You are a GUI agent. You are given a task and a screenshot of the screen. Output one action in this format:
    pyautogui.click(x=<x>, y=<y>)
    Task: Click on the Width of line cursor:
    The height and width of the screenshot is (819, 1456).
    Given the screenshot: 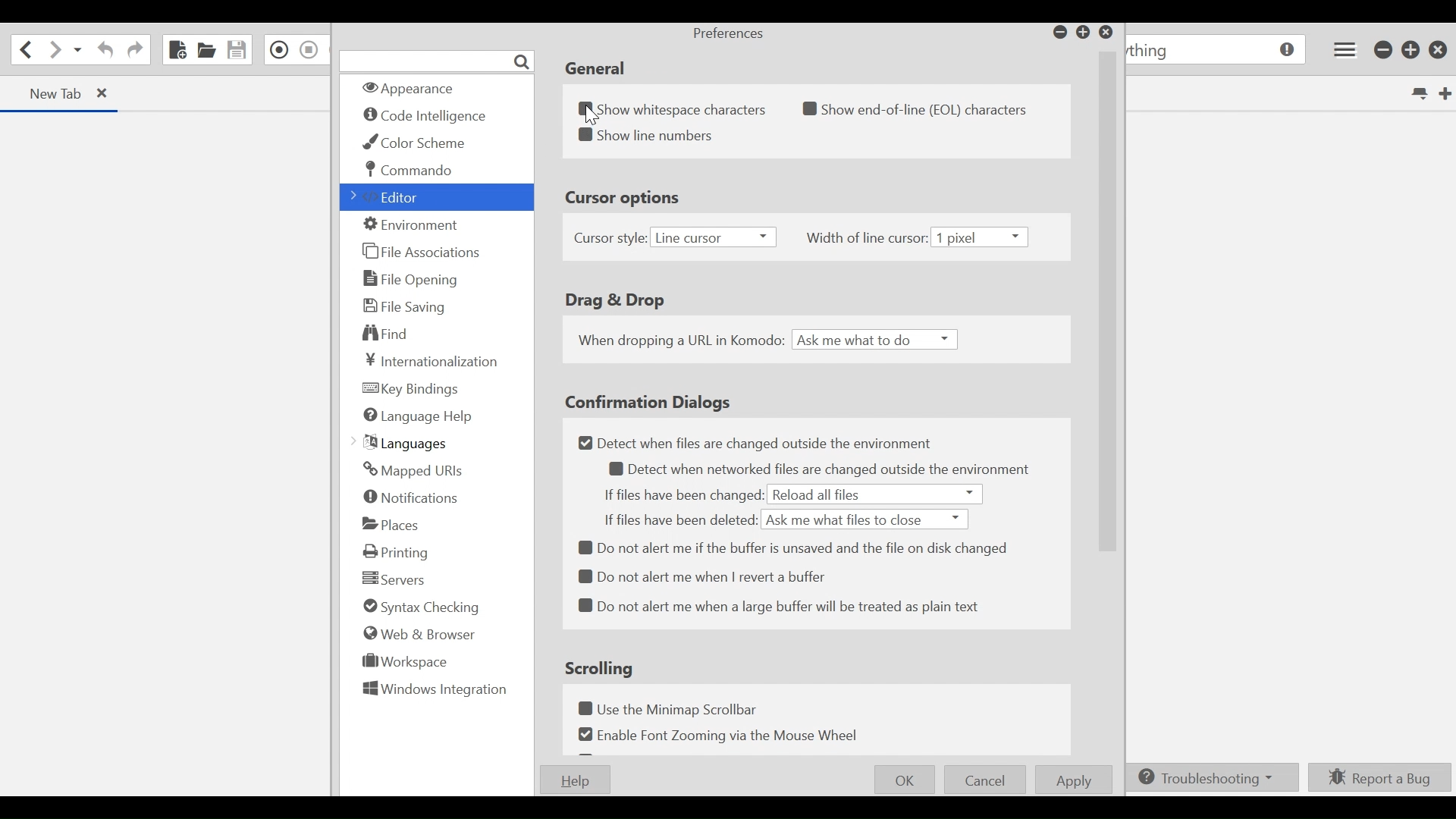 What is the action you would take?
    pyautogui.click(x=868, y=239)
    